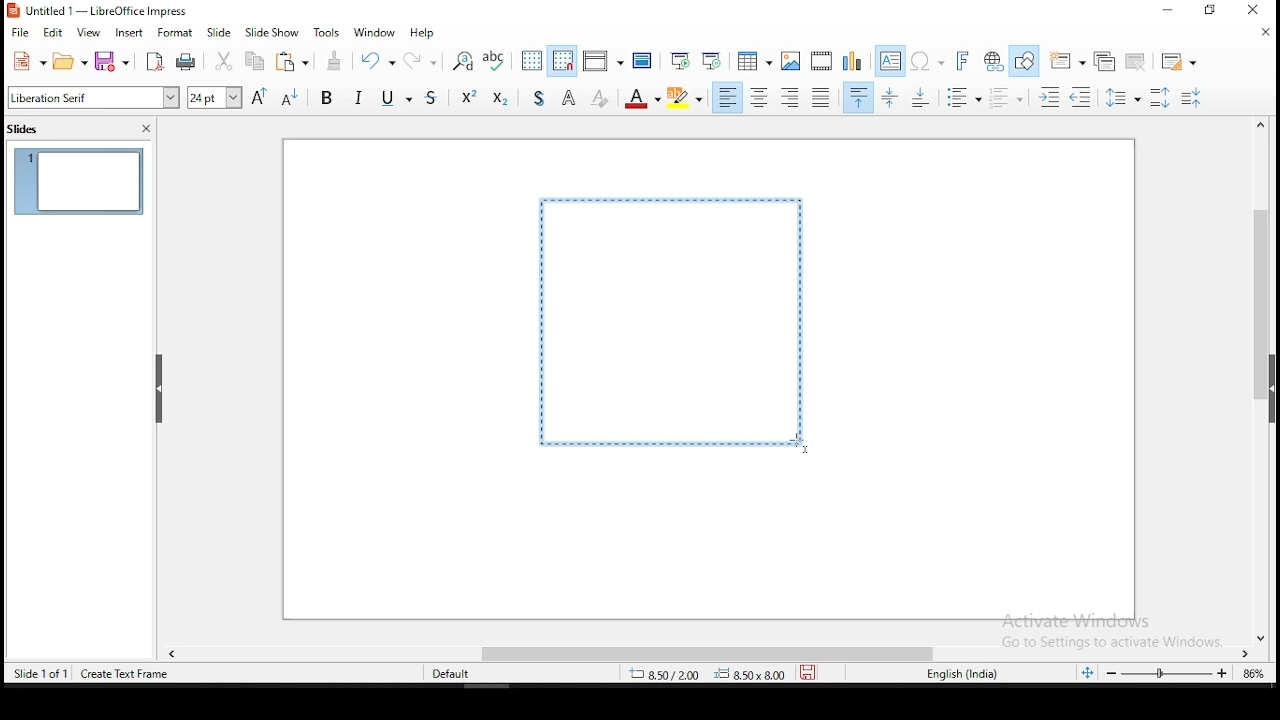 The width and height of the screenshot is (1280, 720). I want to click on spell check, so click(493, 59).